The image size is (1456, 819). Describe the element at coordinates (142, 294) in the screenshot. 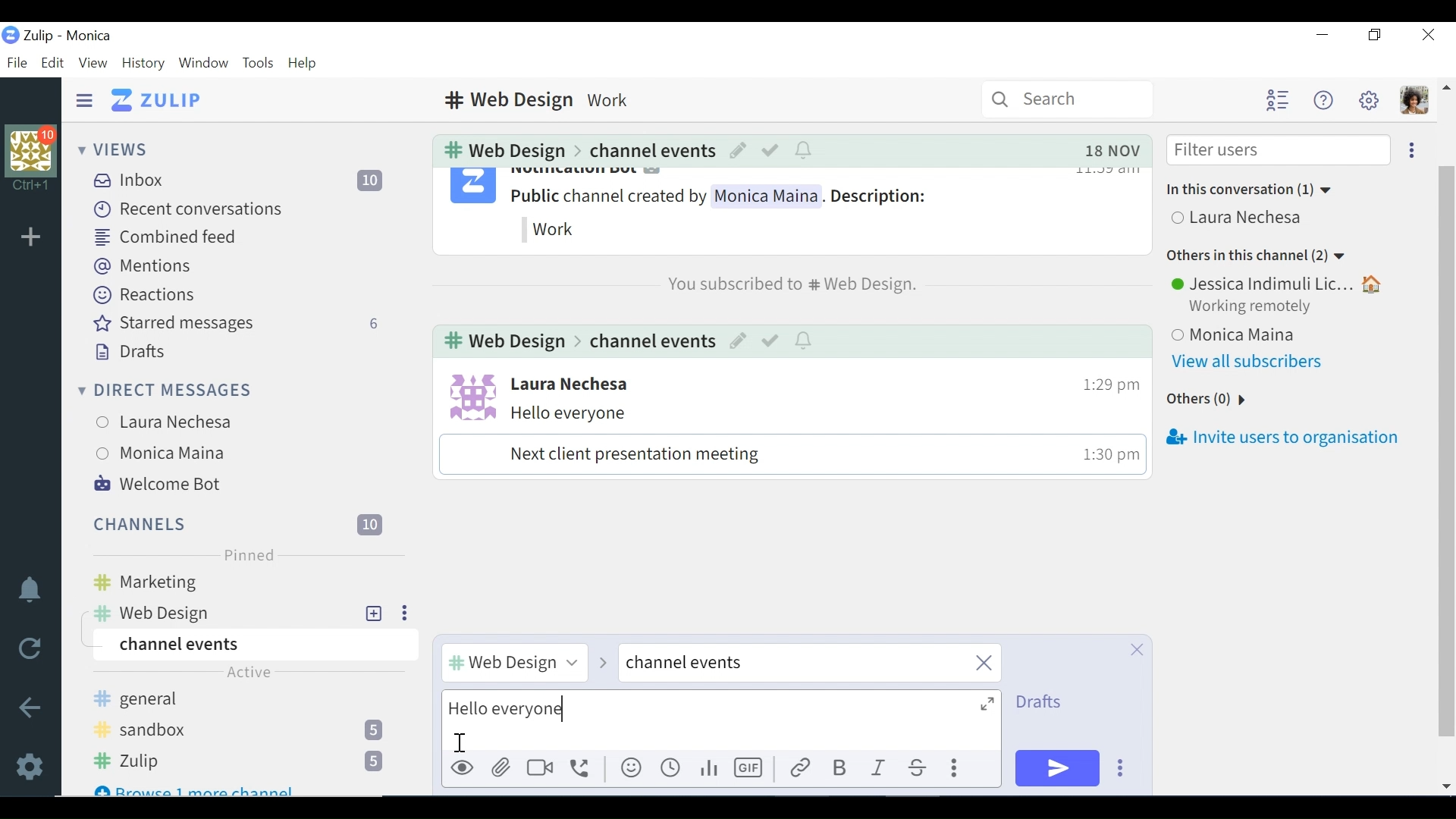

I see `Reactions` at that location.